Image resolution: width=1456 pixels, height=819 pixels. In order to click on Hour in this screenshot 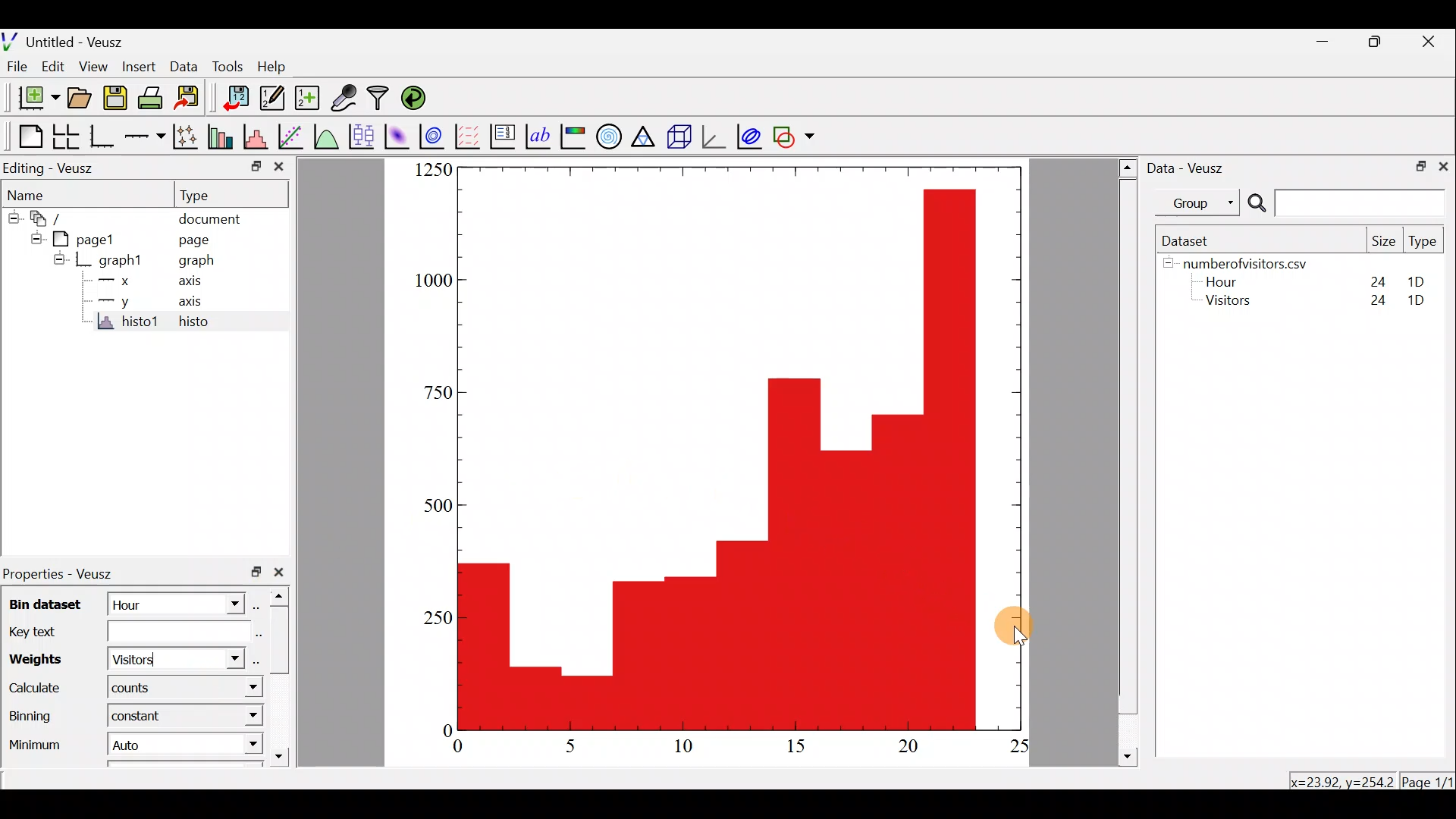, I will do `click(1228, 281)`.